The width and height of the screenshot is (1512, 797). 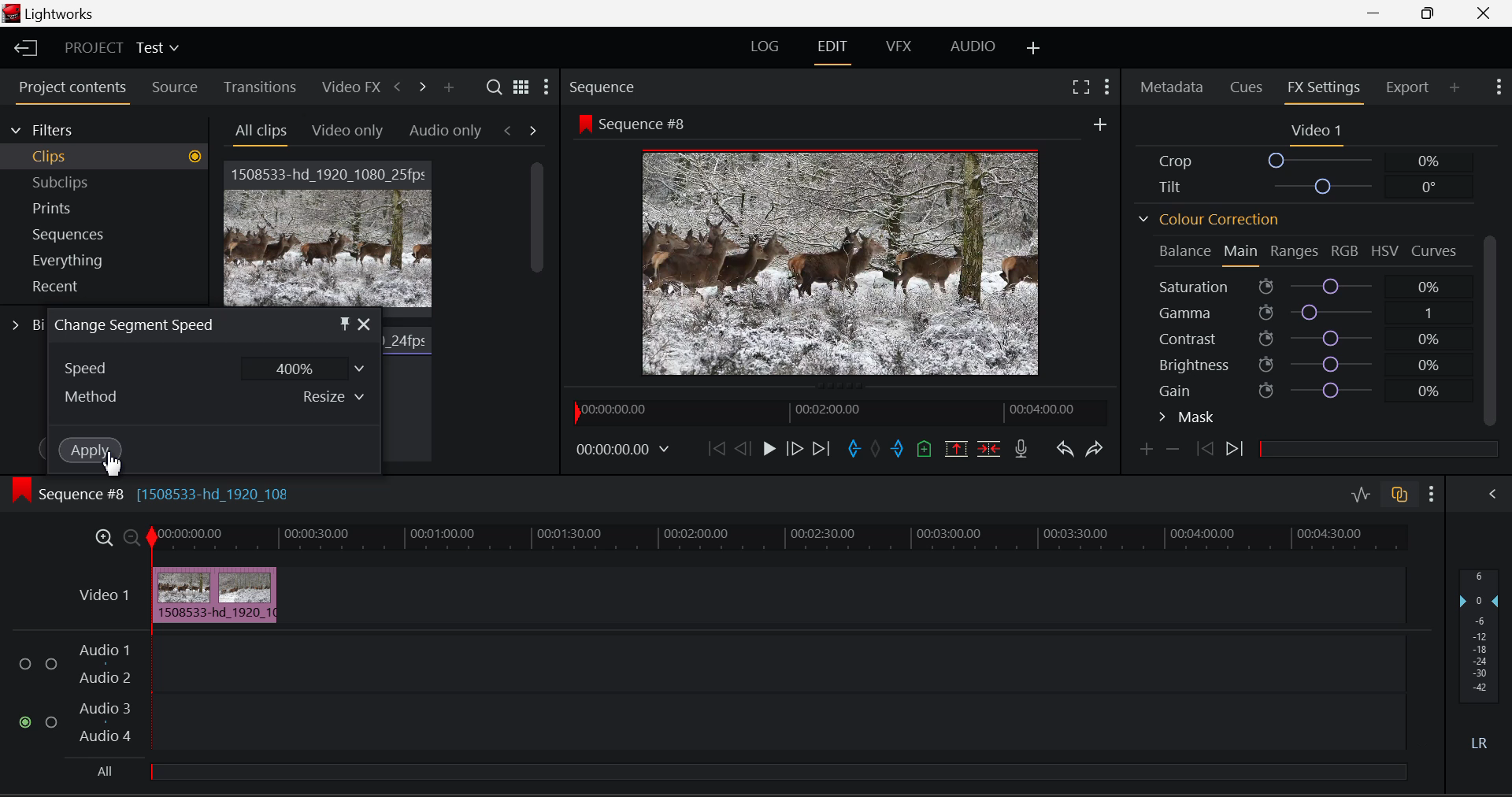 What do you see at coordinates (1484, 13) in the screenshot?
I see `Close` at bounding box center [1484, 13].